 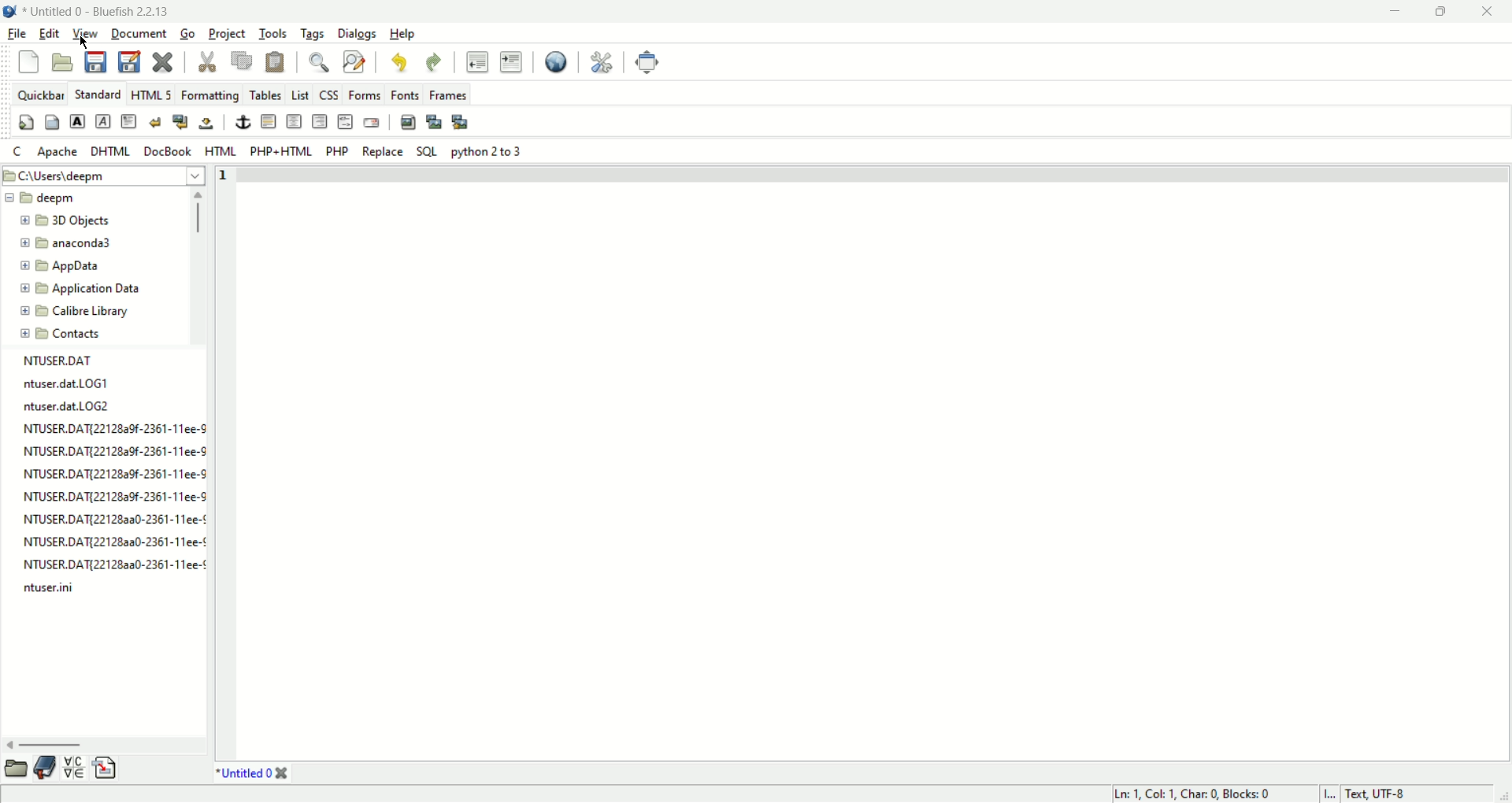 What do you see at coordinates (558, 63) in the screenshot?
I see `view in browser` at bounding box center [558, 63].